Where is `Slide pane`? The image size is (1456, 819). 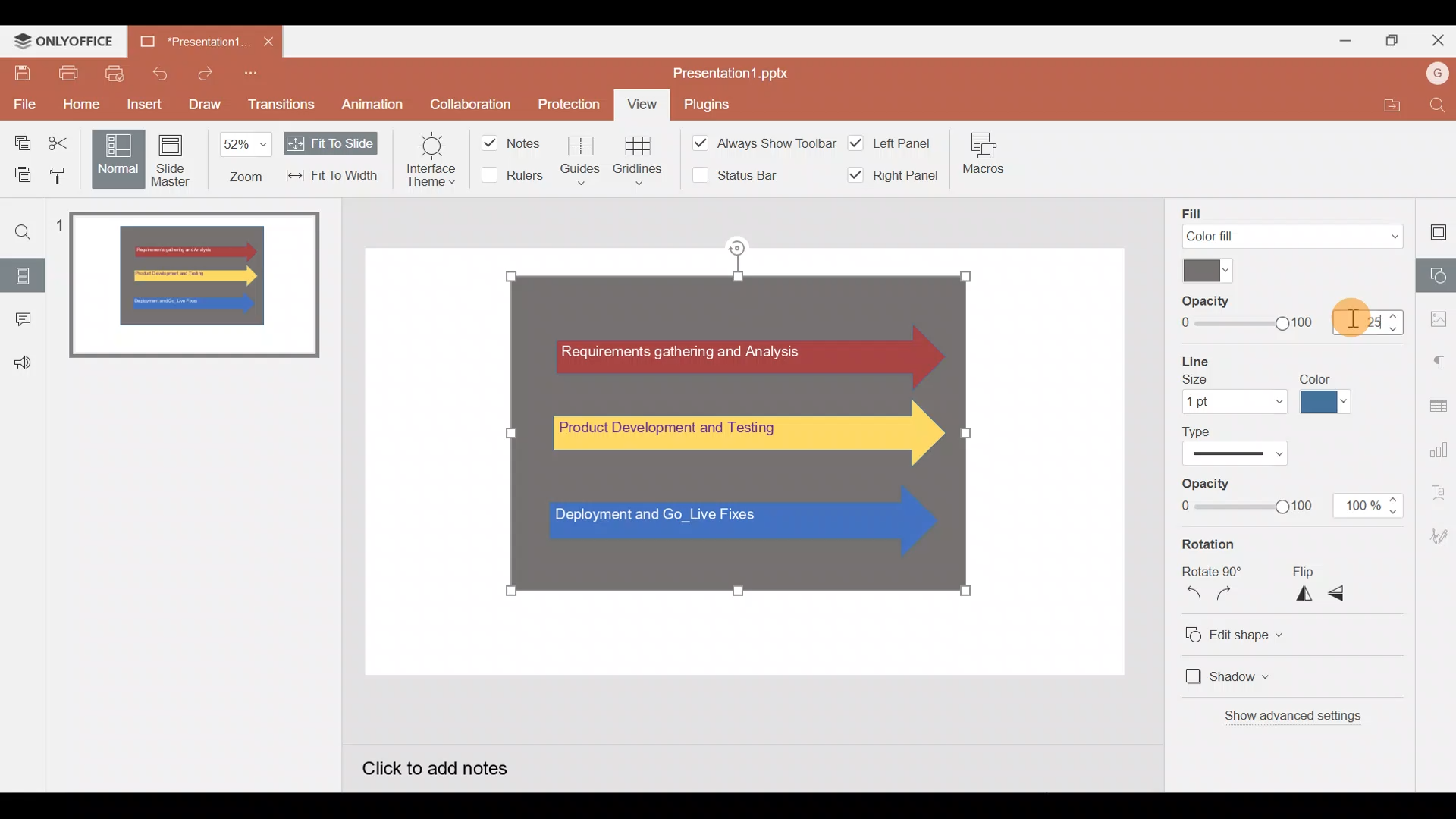 Slide pane is located at coordinates (210, 568).